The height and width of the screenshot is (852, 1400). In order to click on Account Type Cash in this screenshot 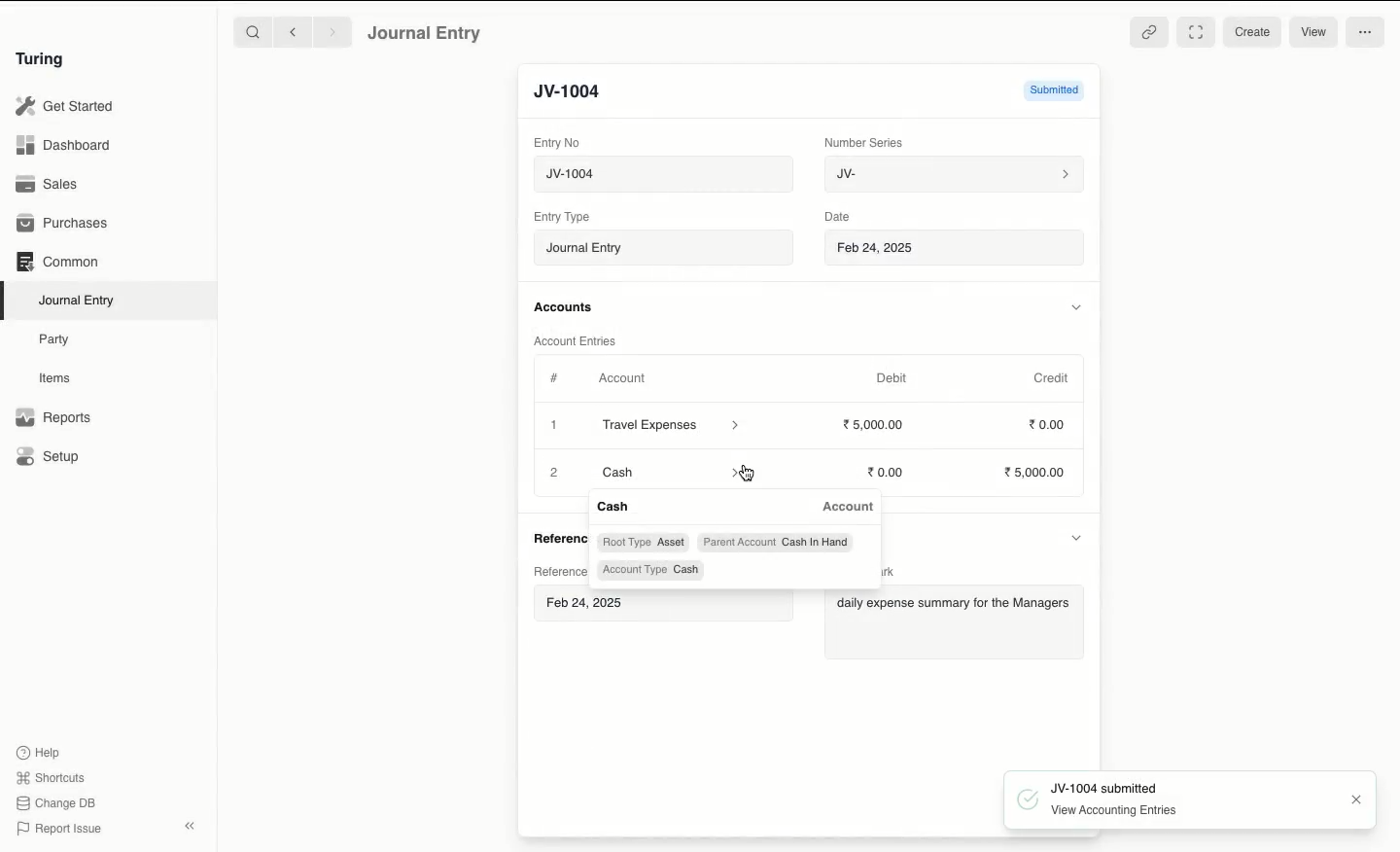, I will do `click(652, 570)`.